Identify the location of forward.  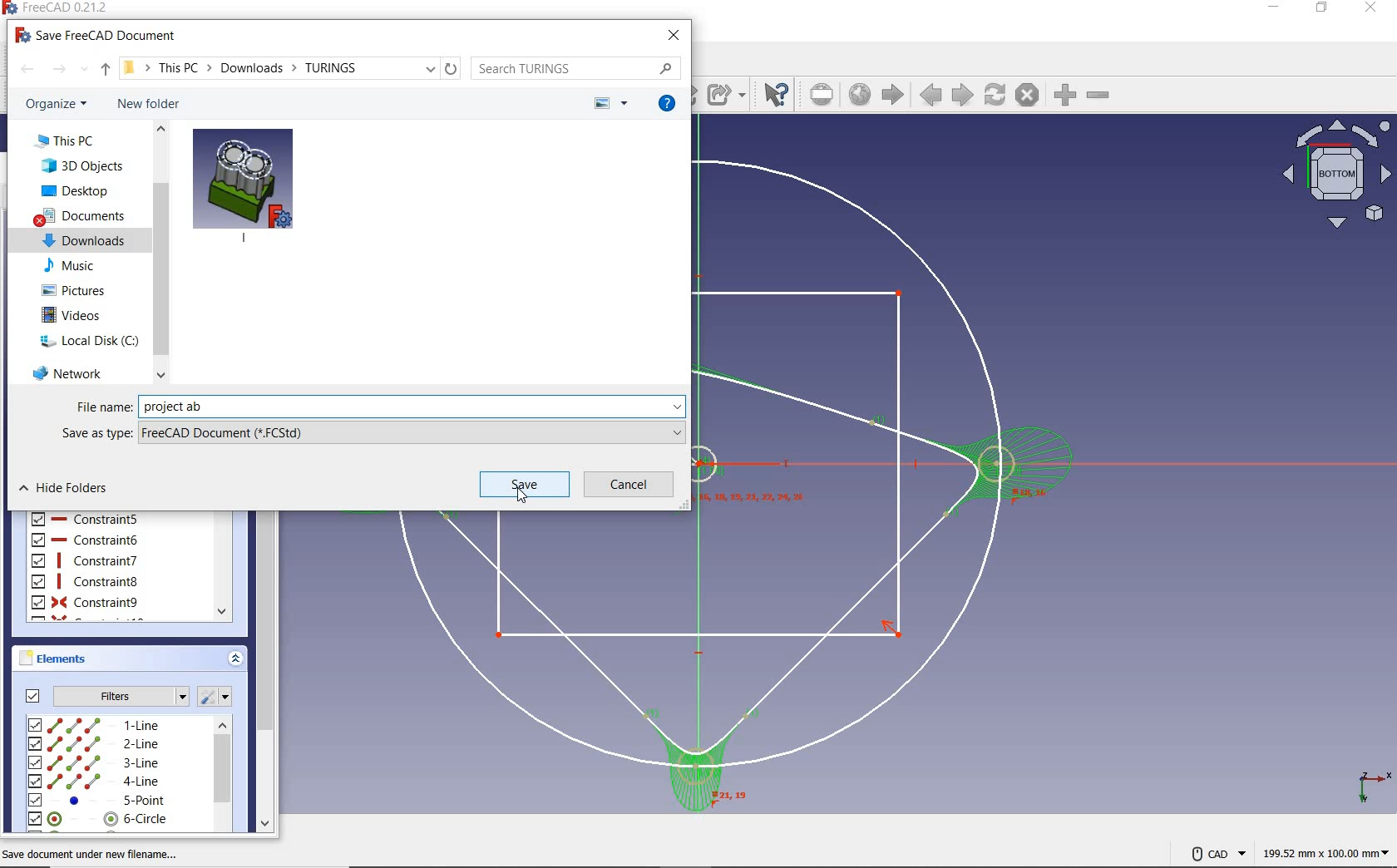
(59, 70).